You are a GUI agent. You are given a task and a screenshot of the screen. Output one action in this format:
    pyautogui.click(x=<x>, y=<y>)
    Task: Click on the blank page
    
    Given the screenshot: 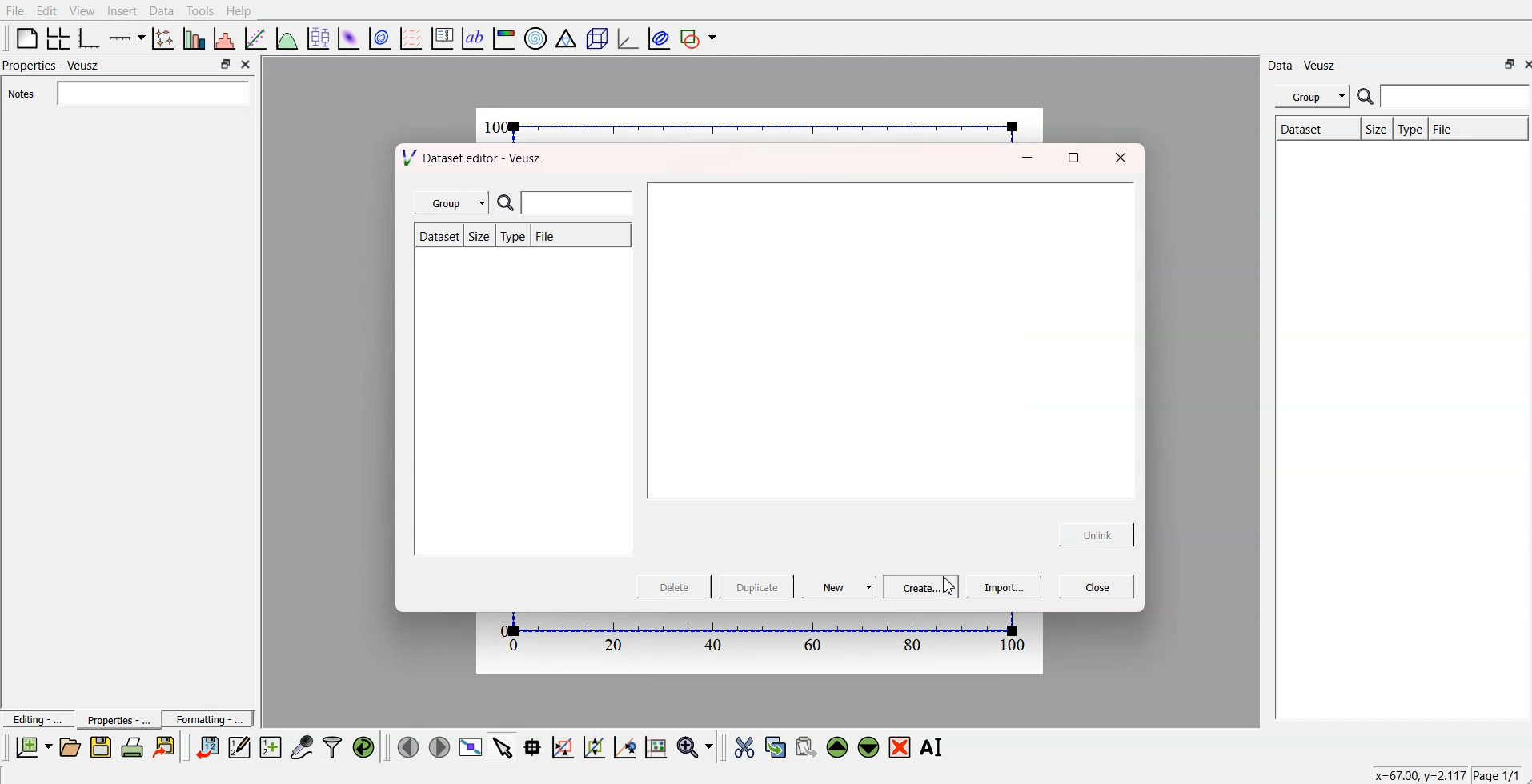 What is the action you would take?
    pyautogui.click(x=26, y=38)
    